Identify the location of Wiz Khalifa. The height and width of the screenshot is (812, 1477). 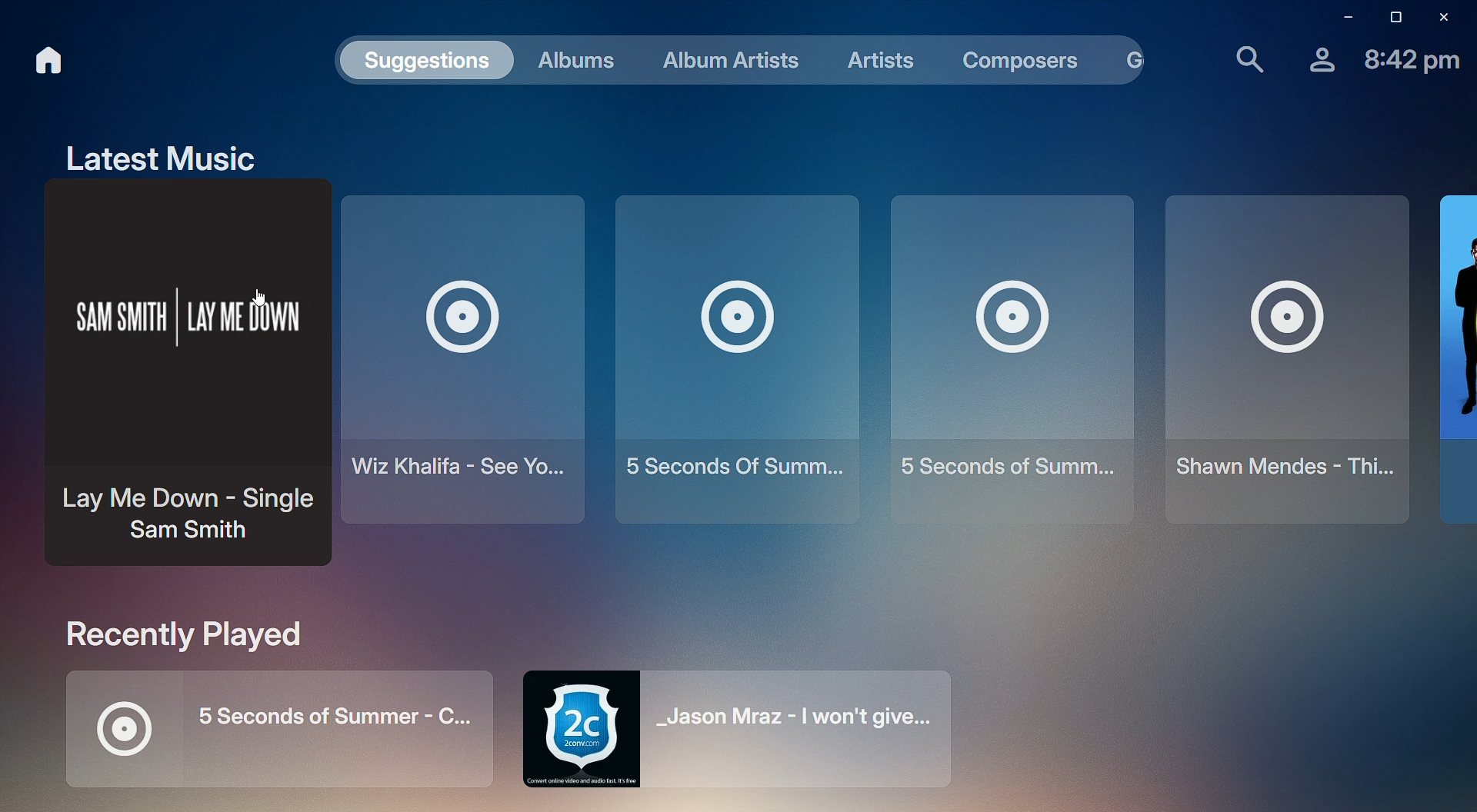
(463, 358).